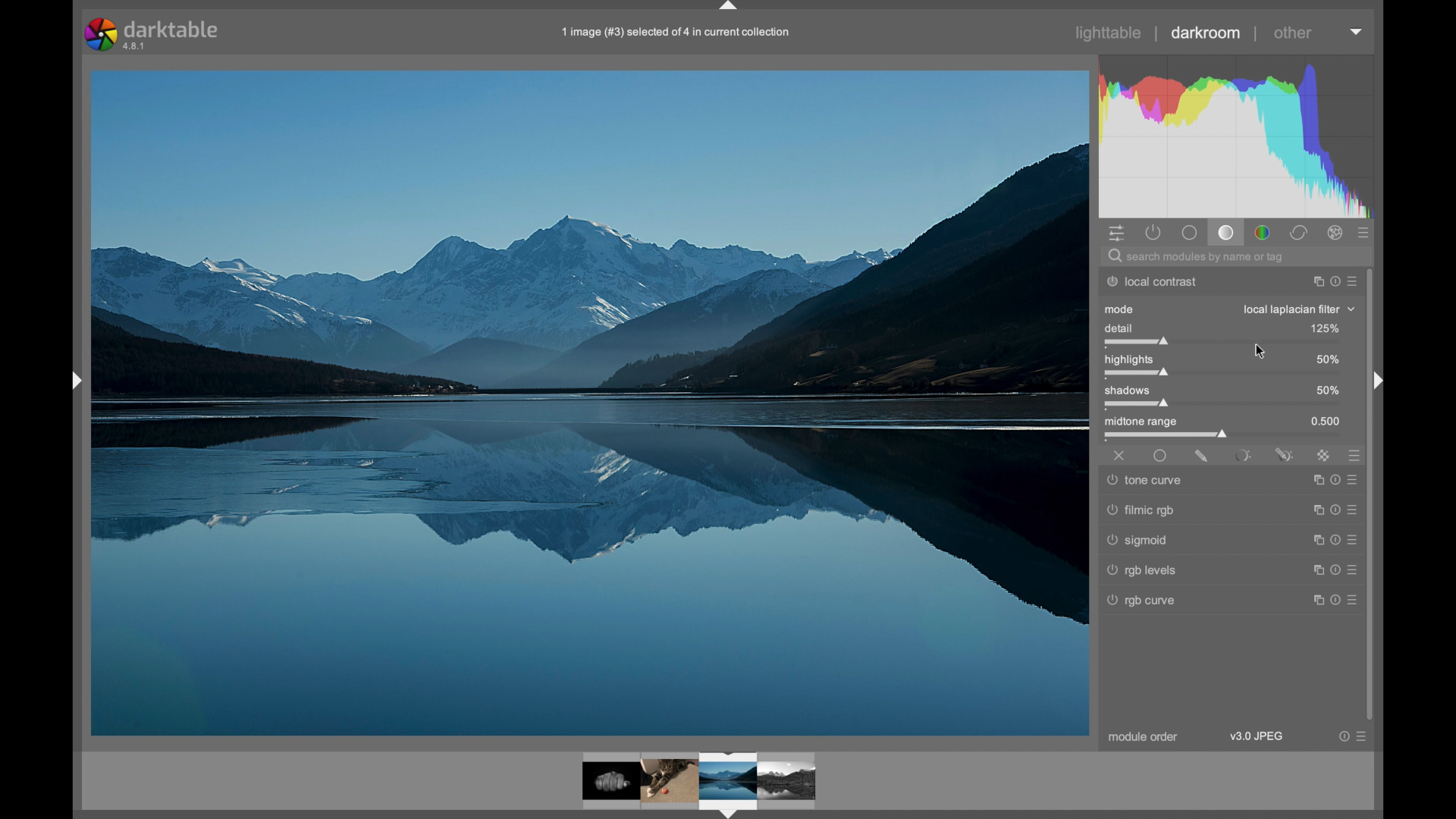 The height and width of the screenshot is (819, 1456). I want to click on v3.9 jpeg, so click(1257, 736).